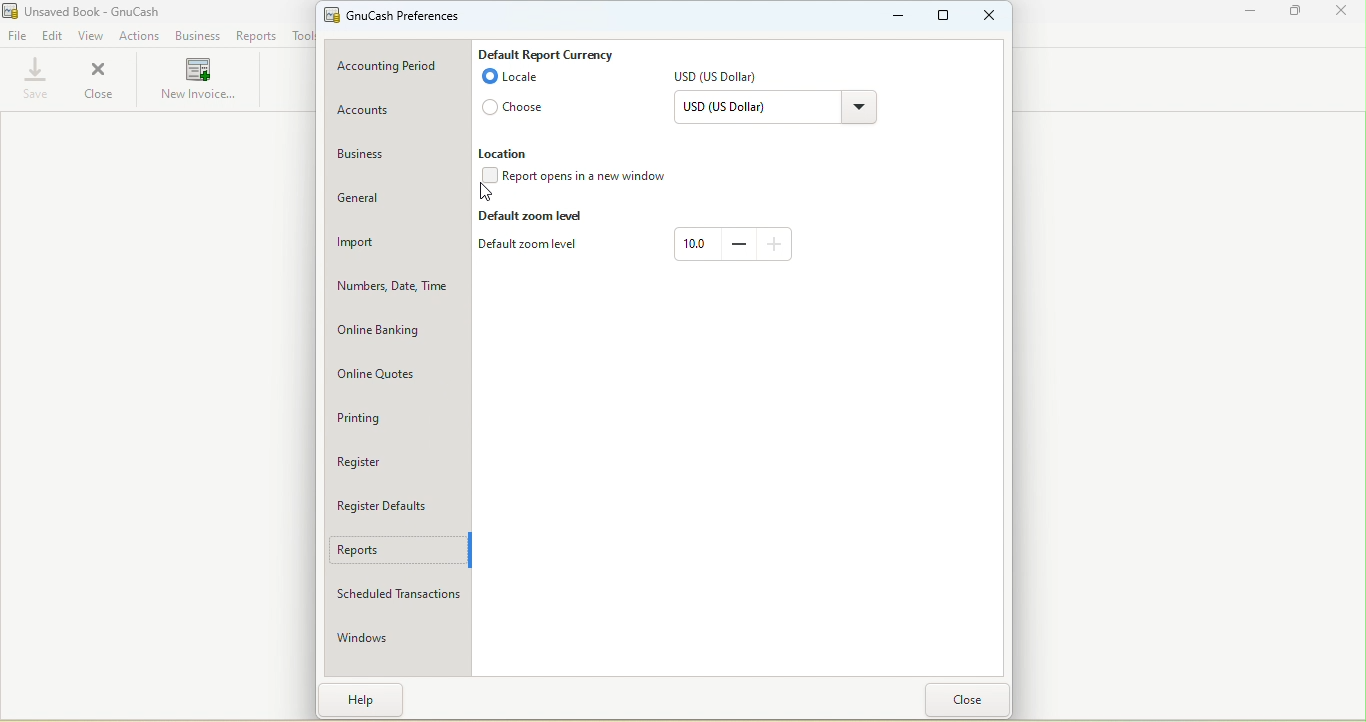  Describe the element at coordinates (534, 247) in the screenshot. I see `Default zoom level` at that location.